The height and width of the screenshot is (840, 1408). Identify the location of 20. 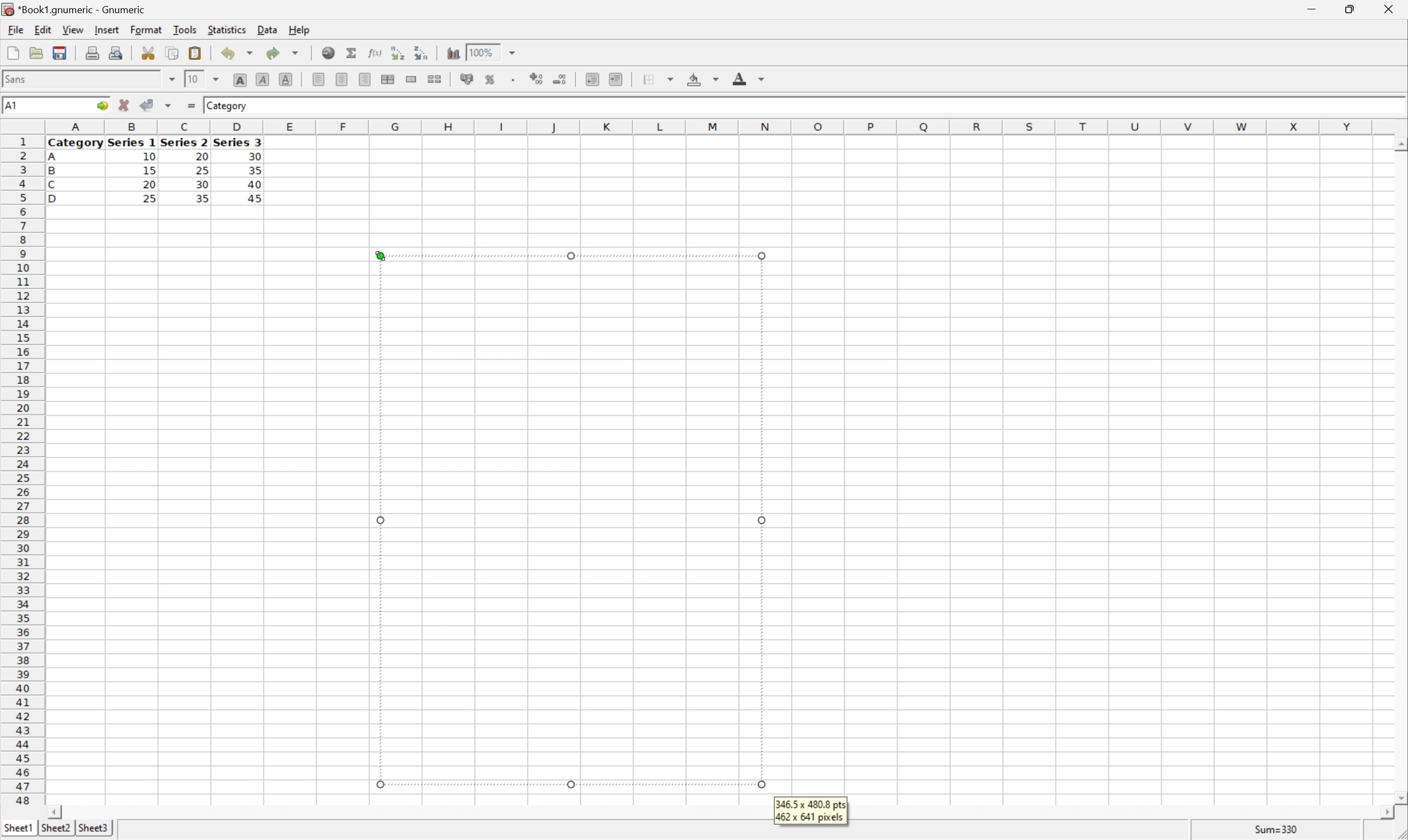
(149, 185).